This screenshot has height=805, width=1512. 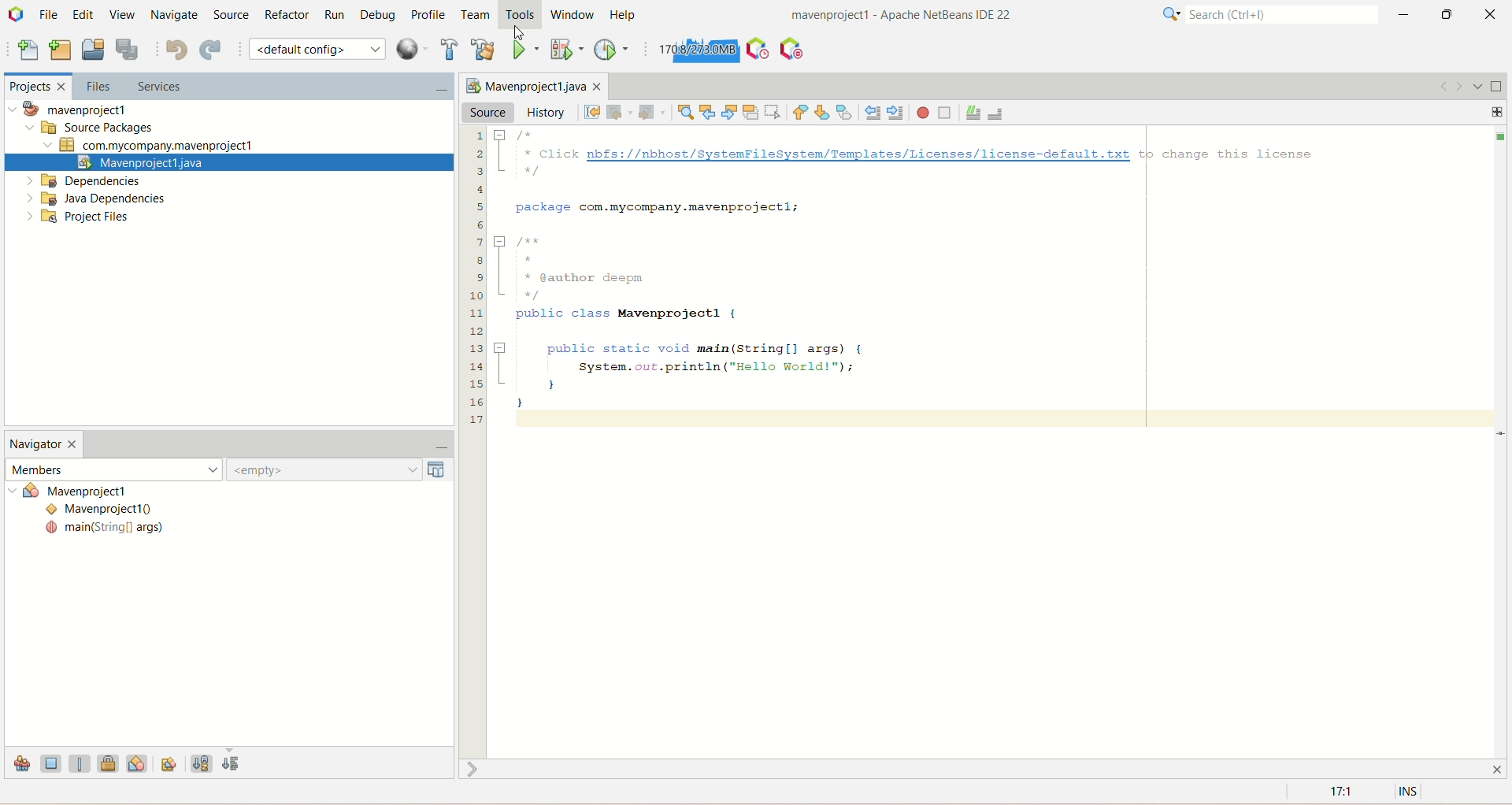 I want to click on fully qualified names, so click(x=171, y=762).